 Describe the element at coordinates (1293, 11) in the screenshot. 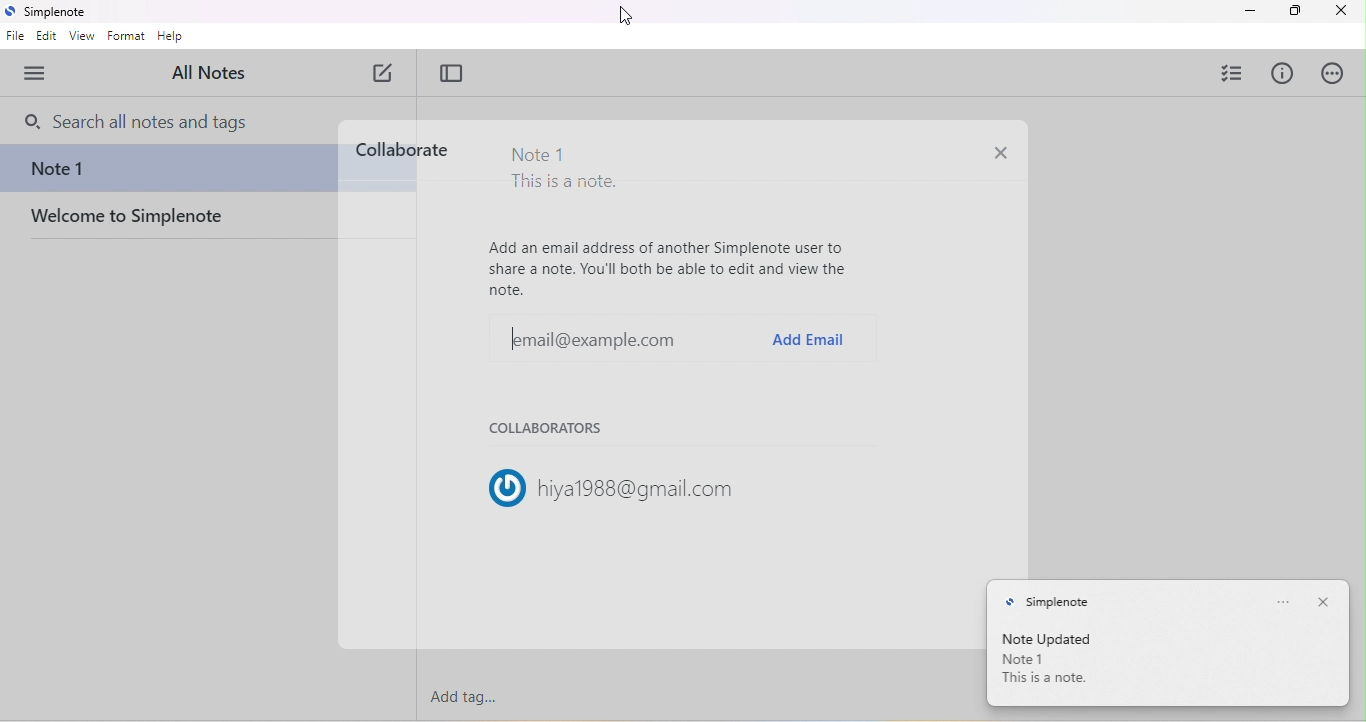

I see `maximize` at that location.